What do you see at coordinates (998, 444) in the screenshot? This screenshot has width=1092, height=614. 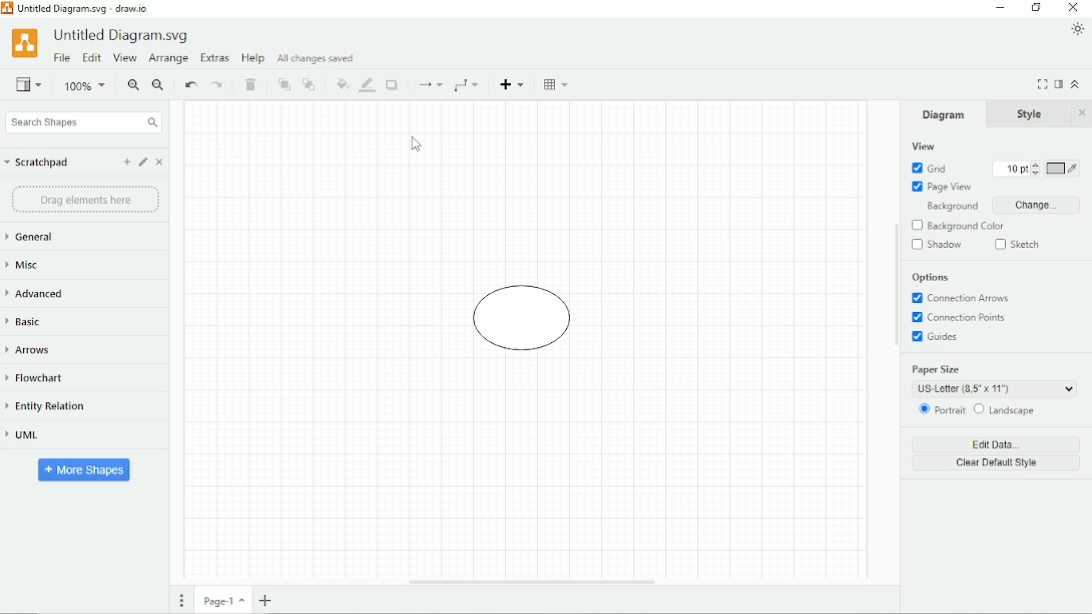 I see `Edit Data` at bounding box center [998, 444].